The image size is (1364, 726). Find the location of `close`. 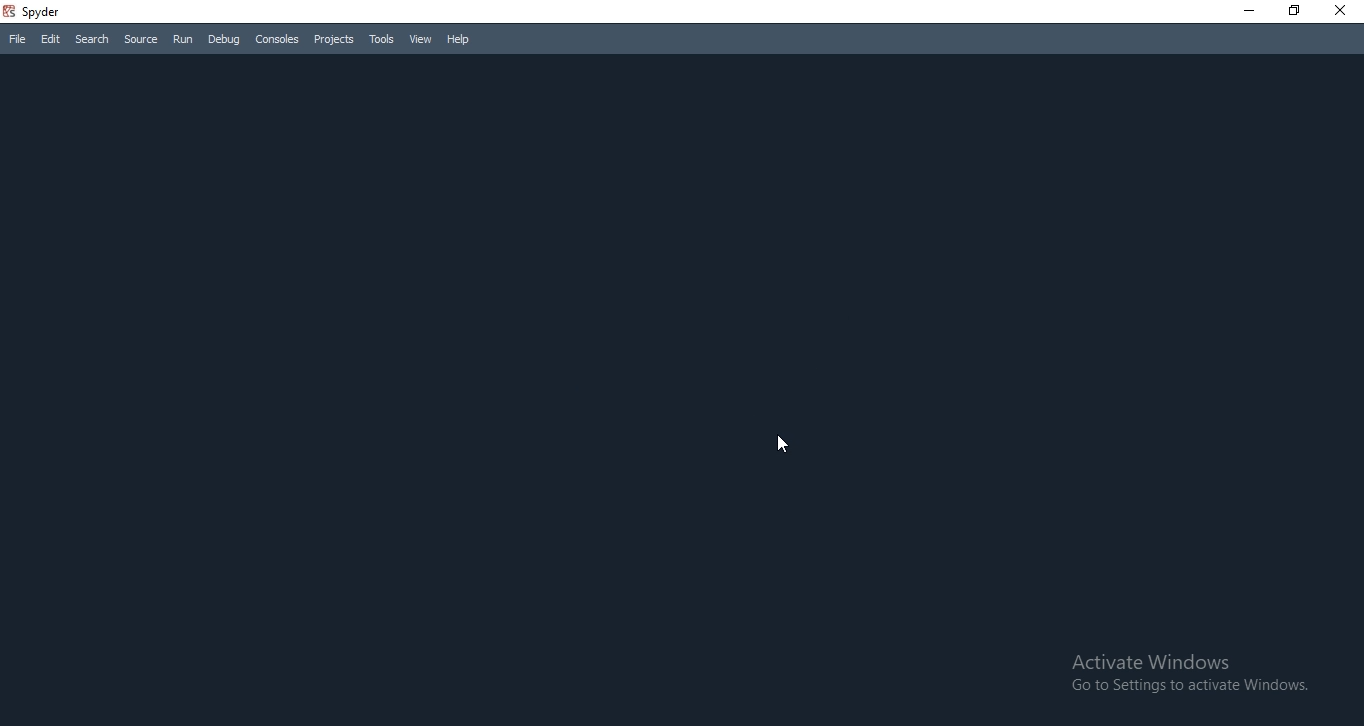

close is located at coordinates (1344, 13).